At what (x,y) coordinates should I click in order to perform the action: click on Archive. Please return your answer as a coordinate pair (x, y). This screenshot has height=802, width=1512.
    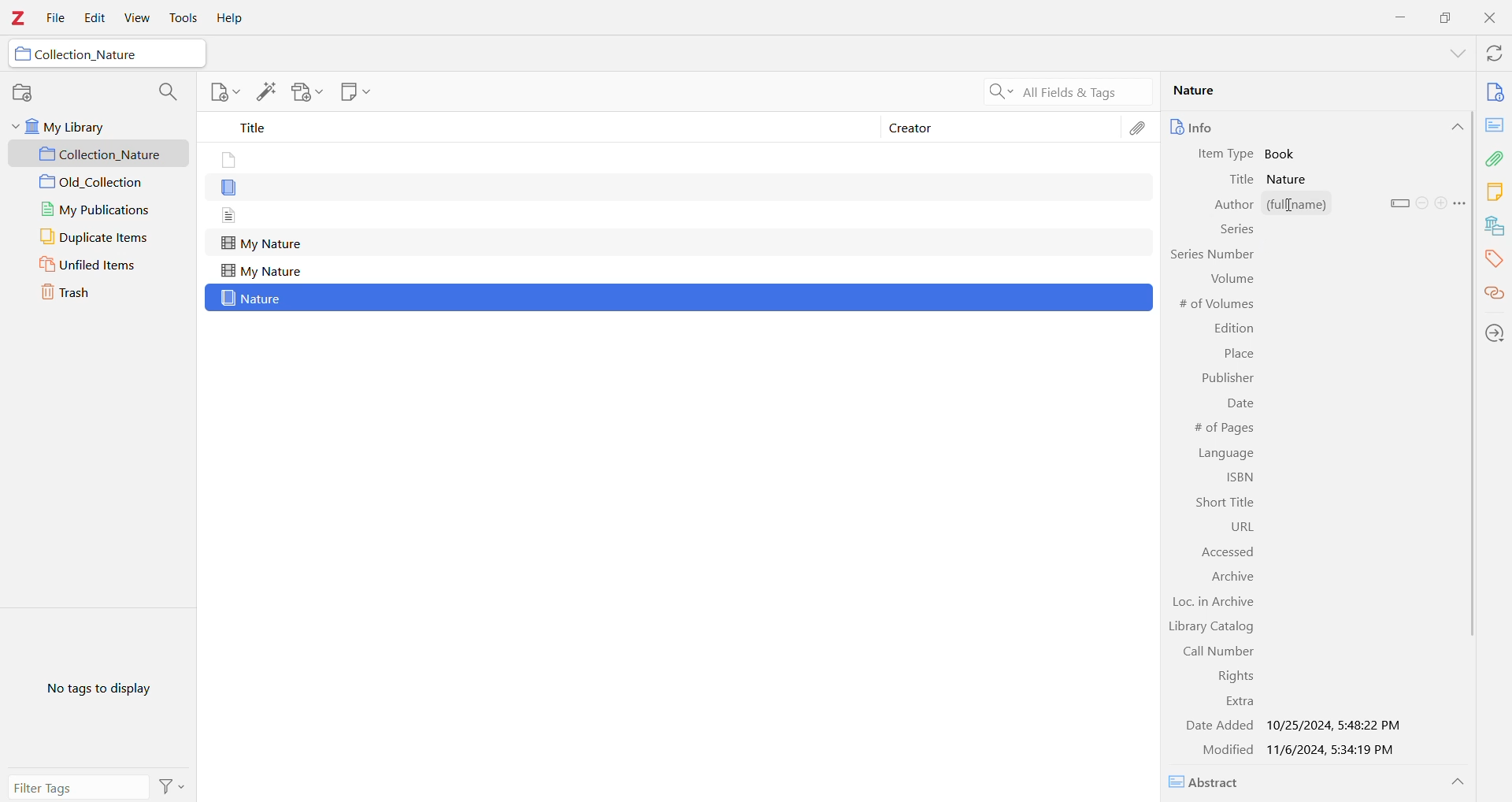
    Looking at the image, I should click on (1233, 577).